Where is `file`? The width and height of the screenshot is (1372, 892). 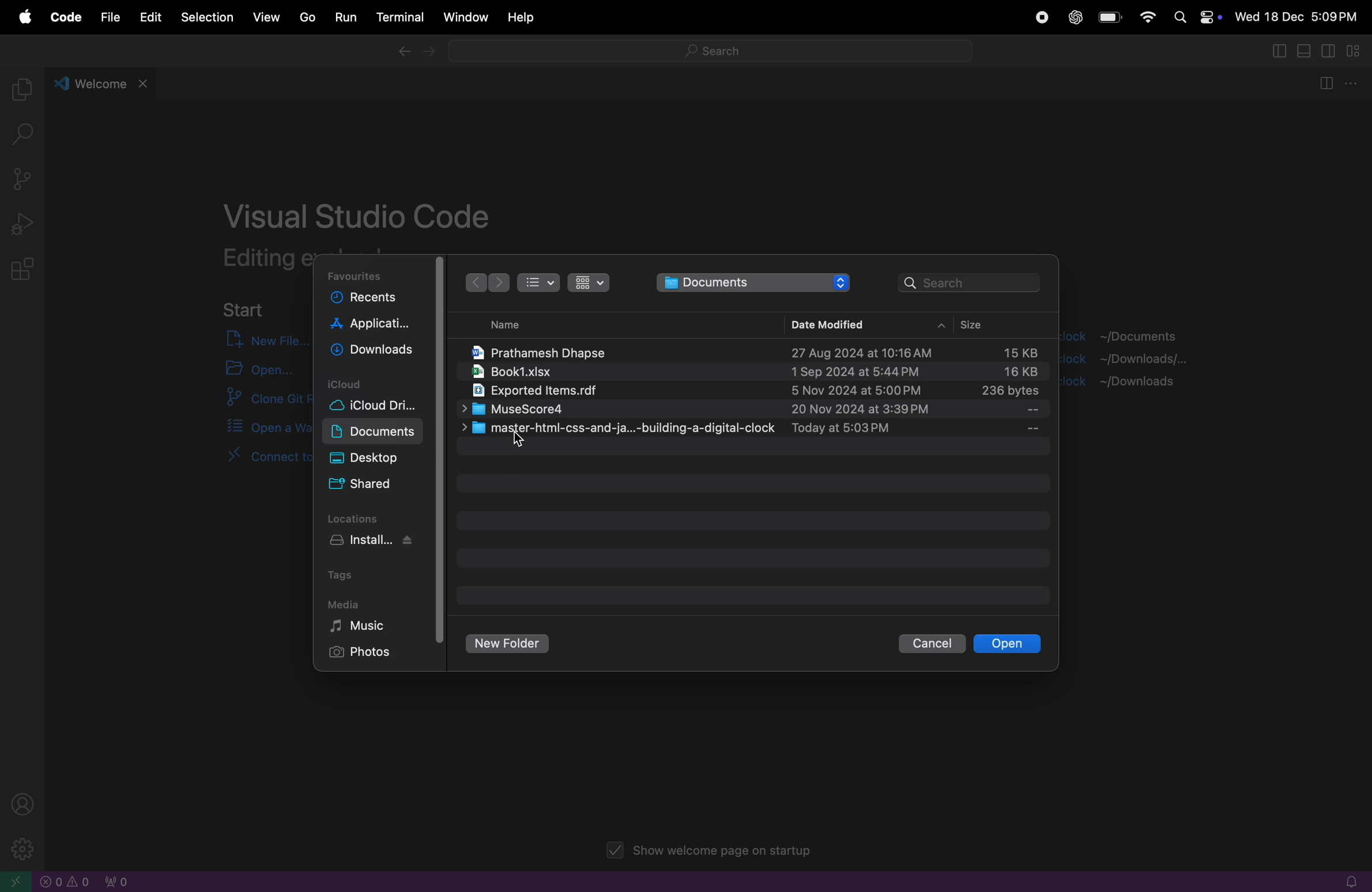 file is located at coordinates (107, 17).